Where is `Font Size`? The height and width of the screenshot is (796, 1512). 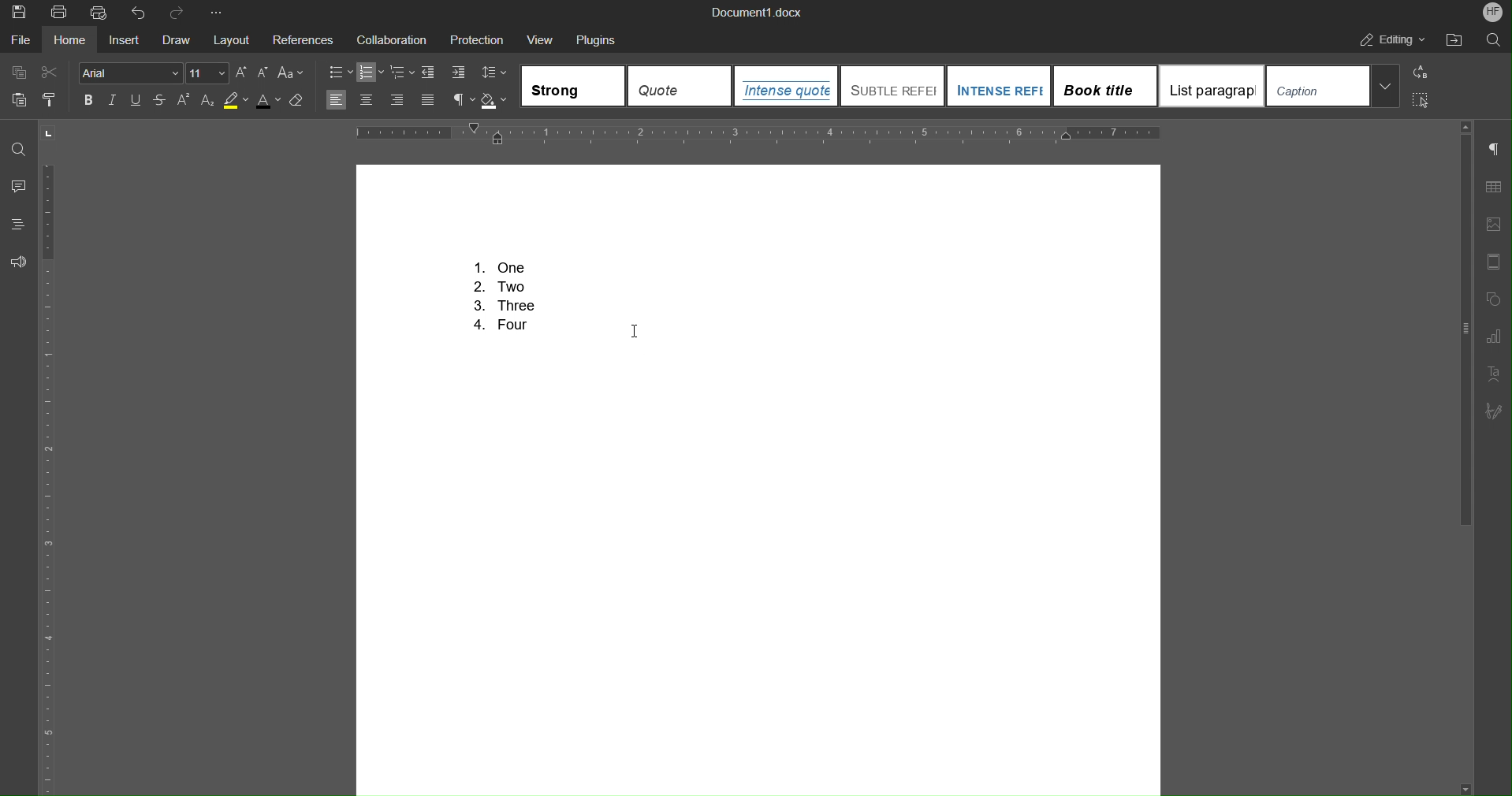 Font Size is located at coordinates (208, 73).